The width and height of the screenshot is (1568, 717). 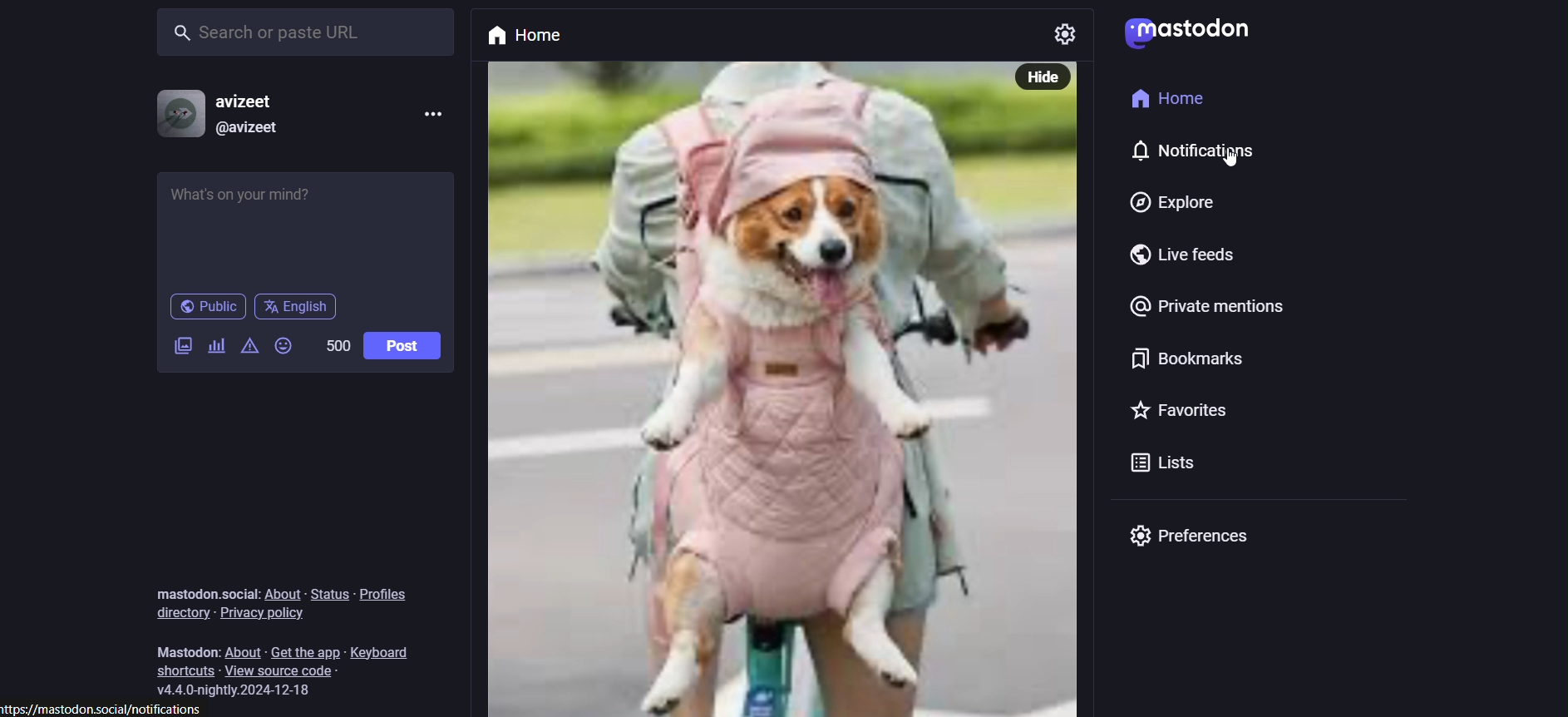 I want to click on version, so click(x=235, y=690).